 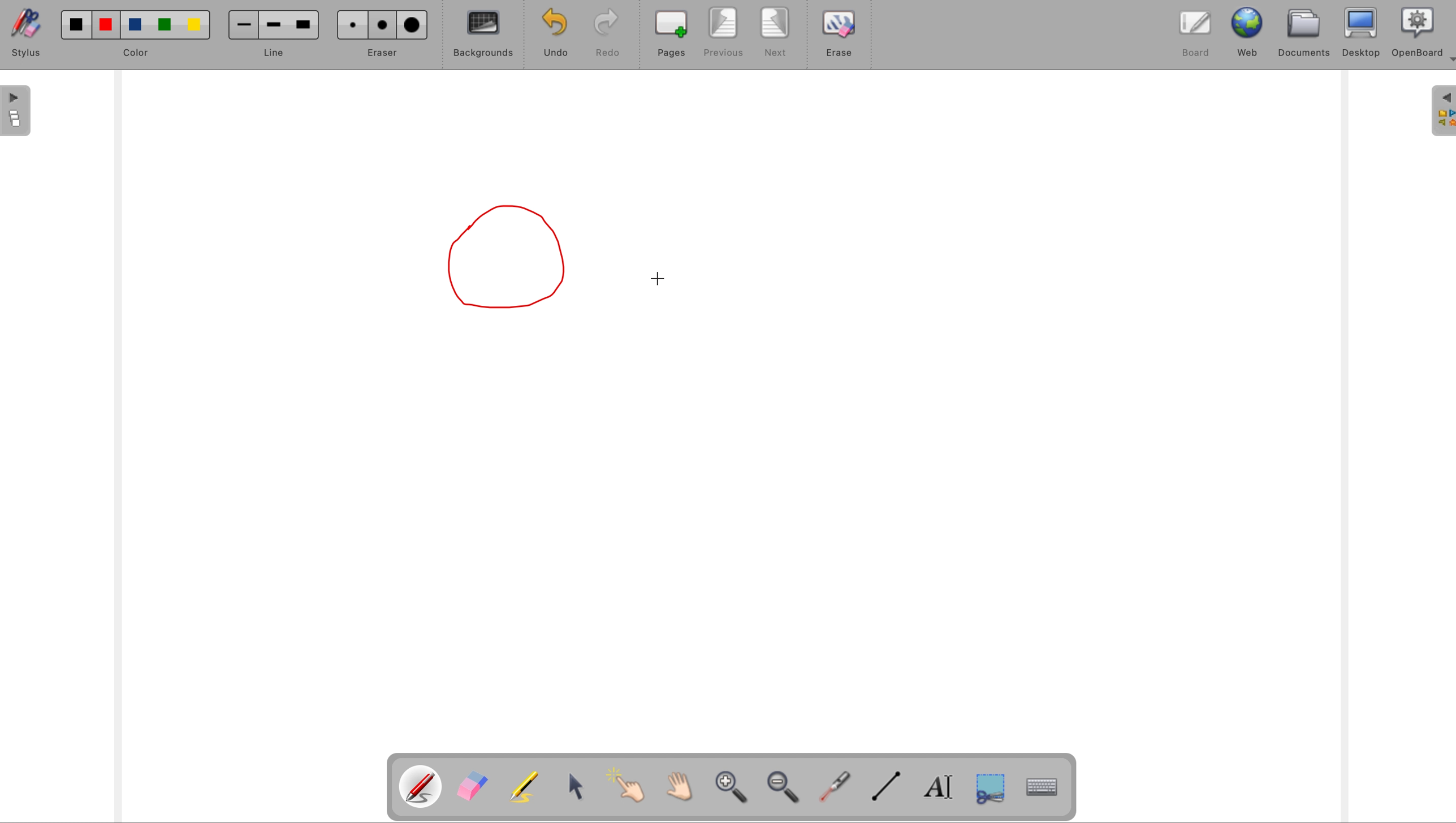 What do you see at coordinates (1307, 33) in the screenshot?
I see `documents` at bounding box center [1307, 33].